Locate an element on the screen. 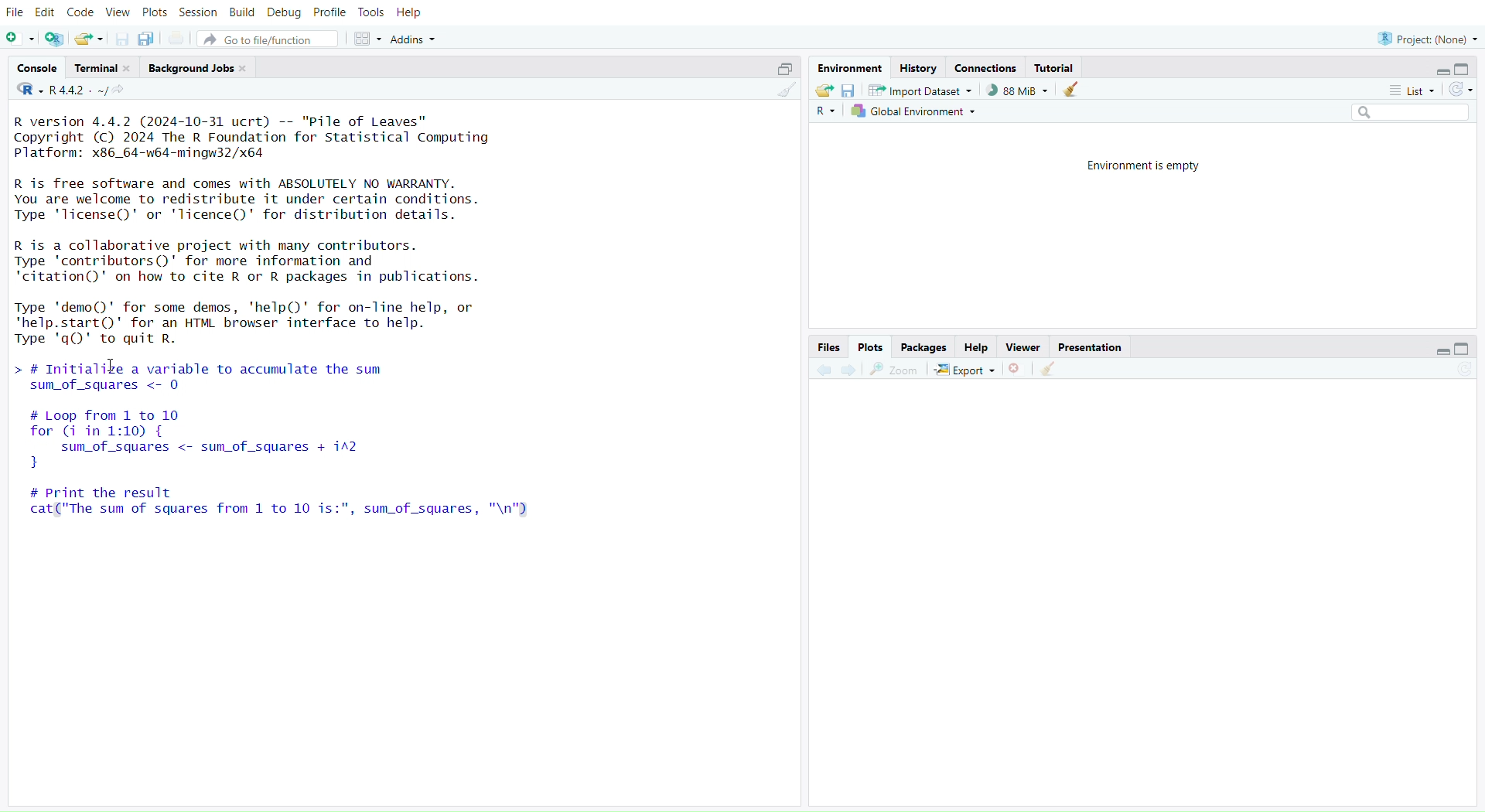  backward is located at coordinates (820, 370).